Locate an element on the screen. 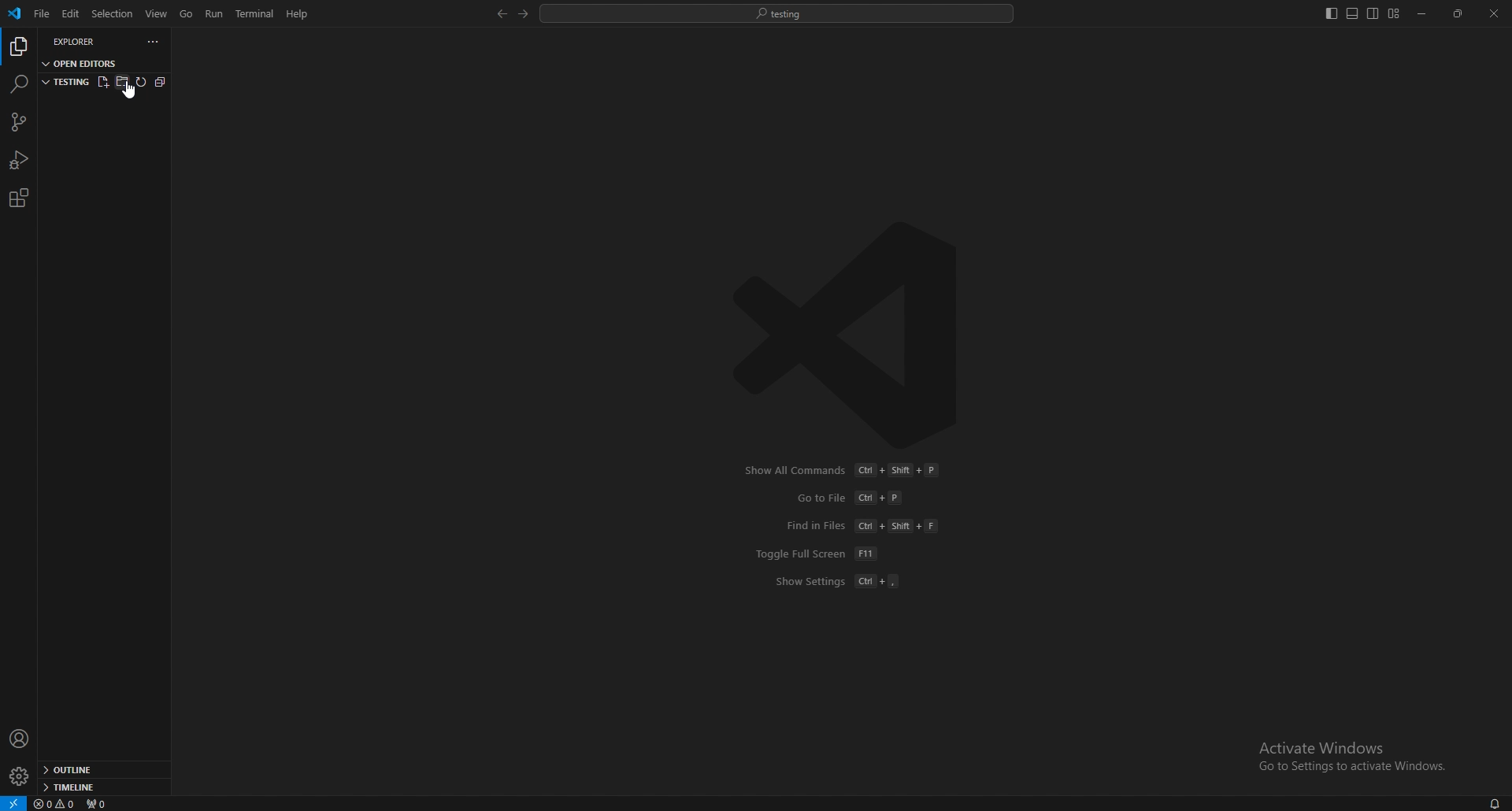  help is located at coordinates (298, 13).